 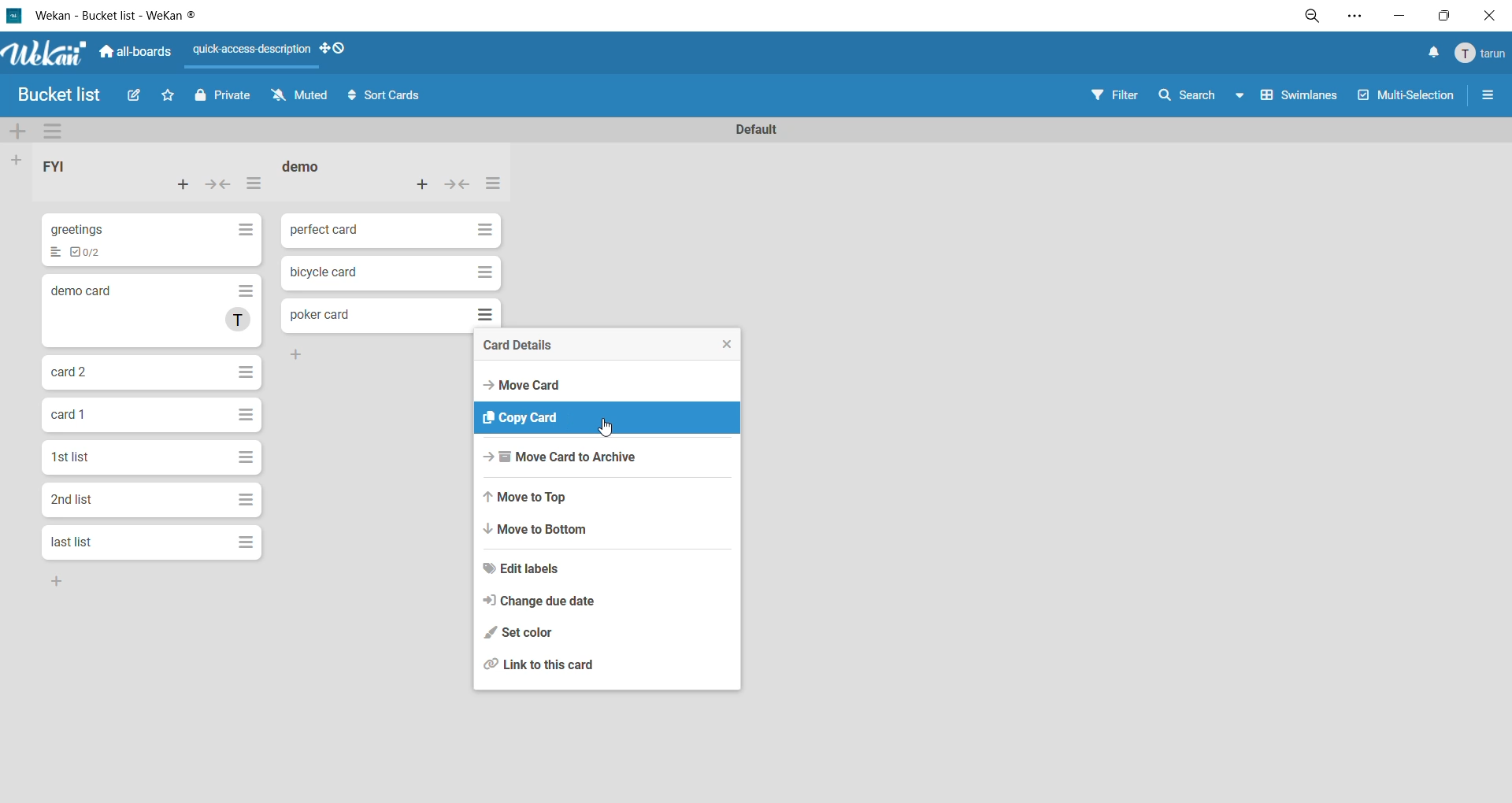 I want to click on move to top, so click(x=530, y=499).